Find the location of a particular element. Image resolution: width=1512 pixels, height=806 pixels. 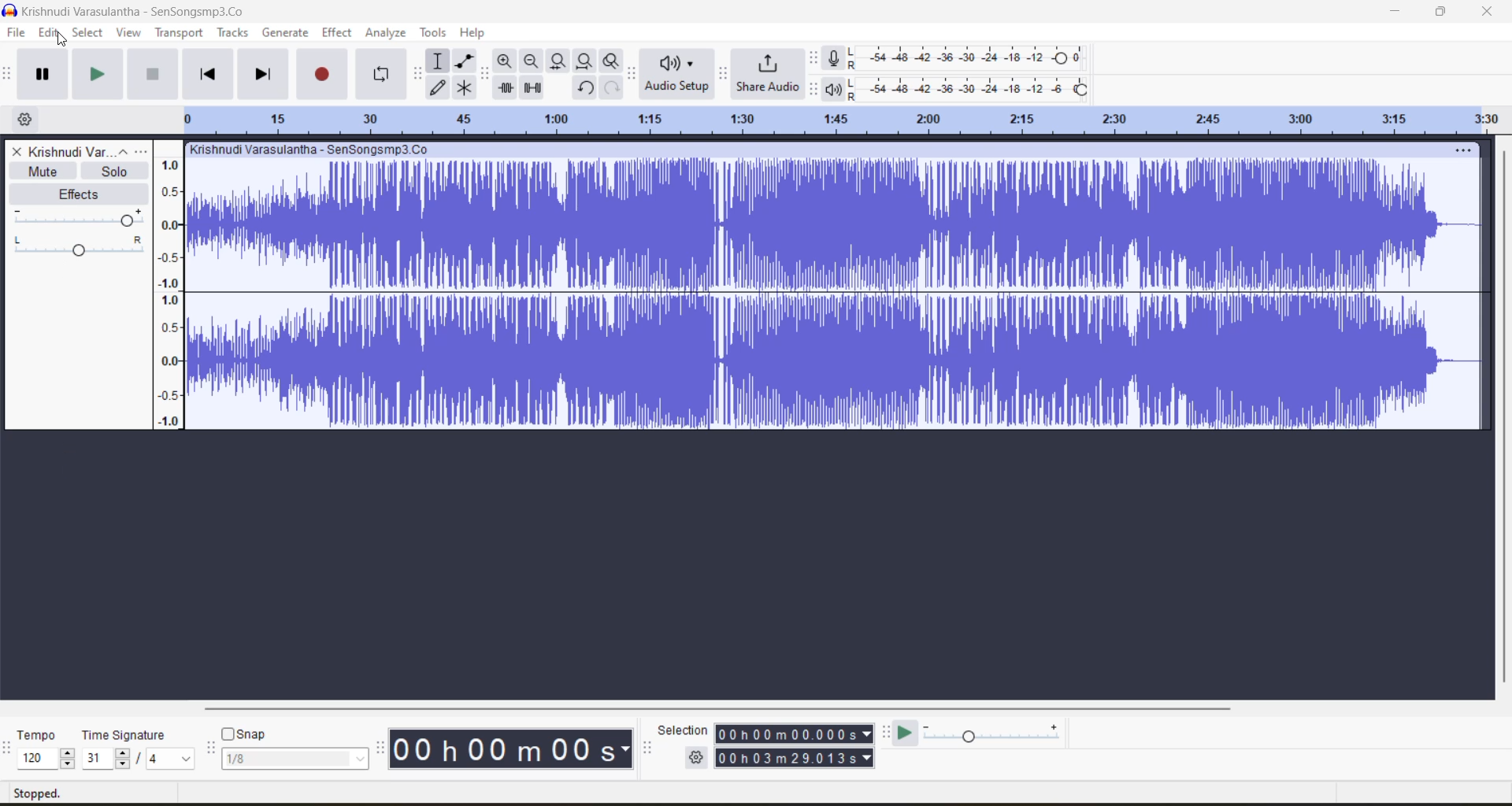

tempo toolbar is located at coordinates (9, 756).